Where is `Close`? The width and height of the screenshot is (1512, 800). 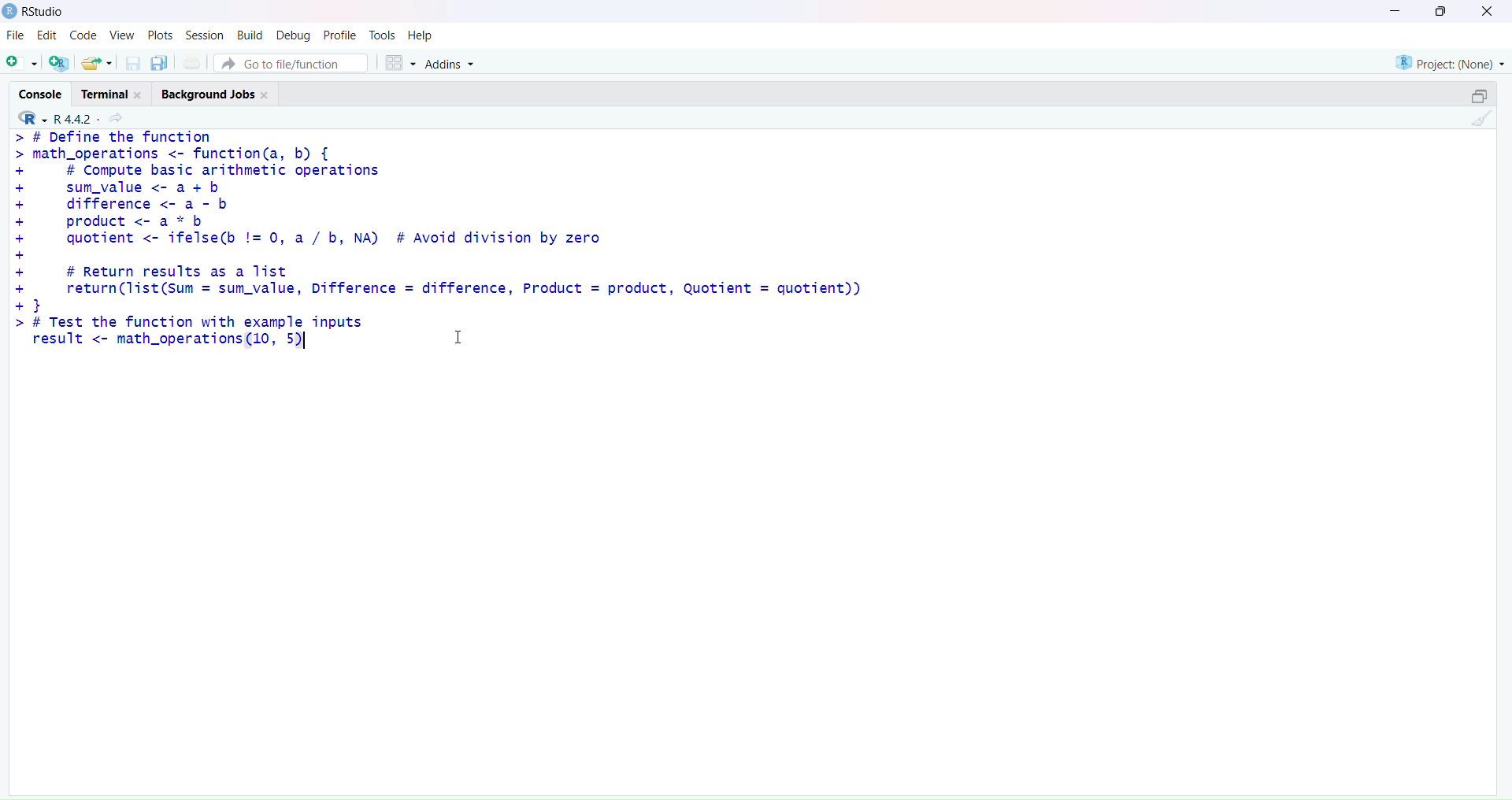
Close is located at coordinates (1484, 12).